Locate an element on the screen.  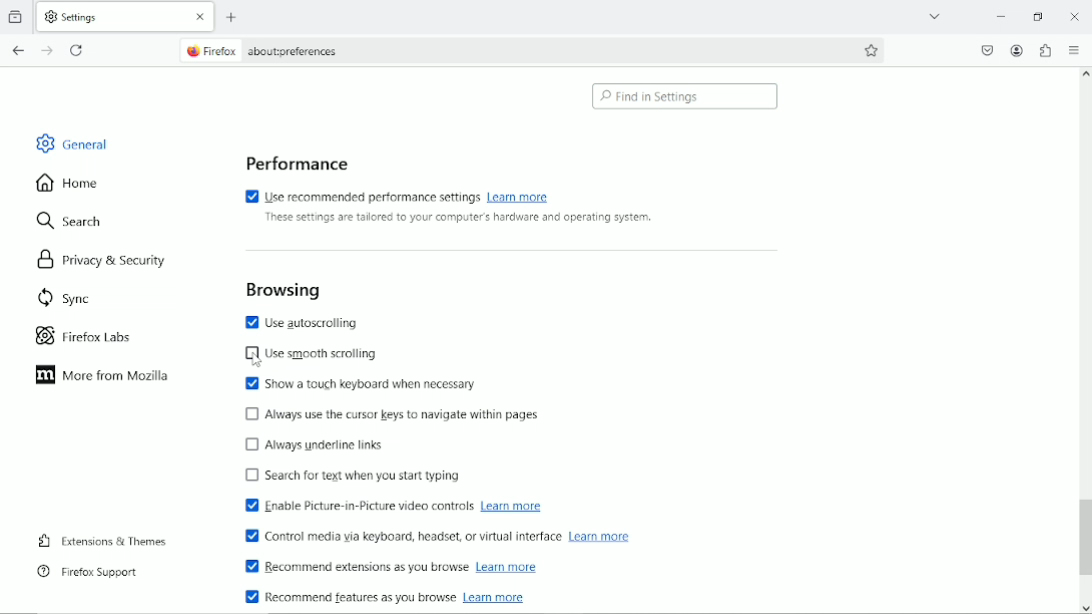
Enable picture in picture video controls. is located at coordinates (353, 507).